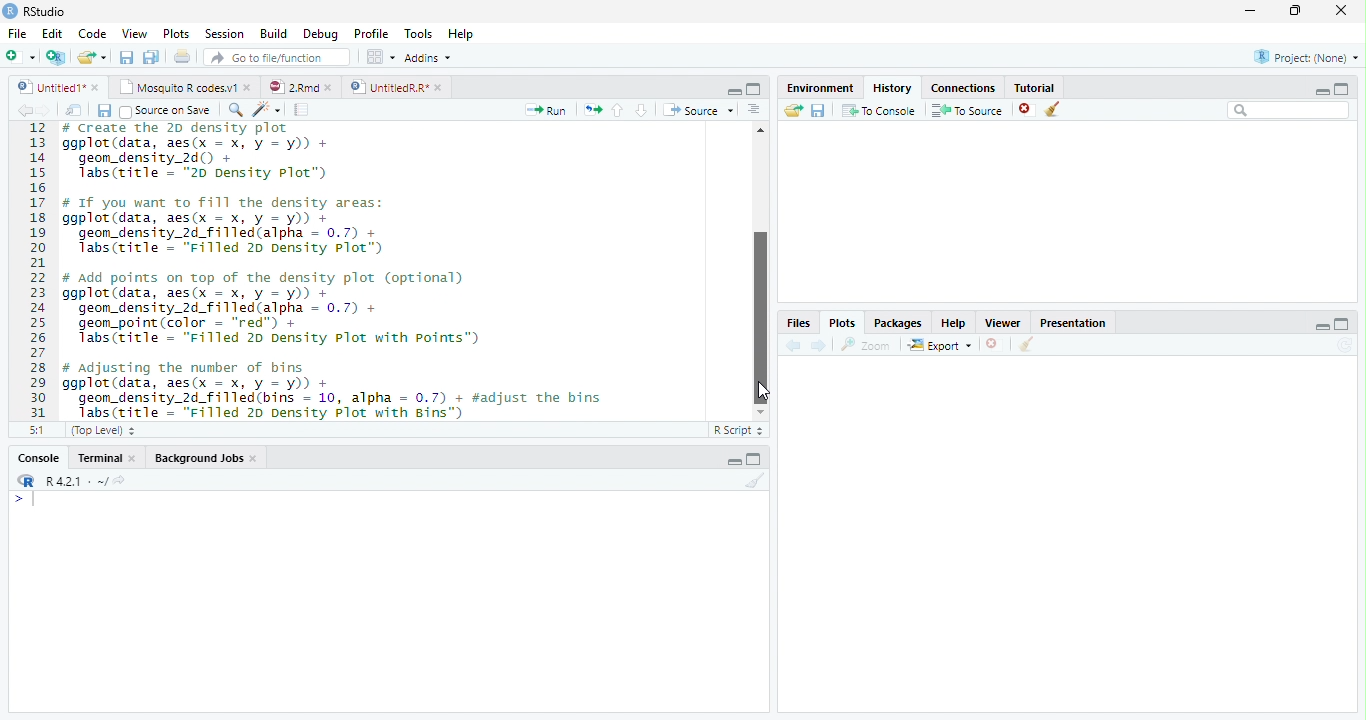 This screenshot has width=1366, height=720. What do you see at coordinates (440, 87) in the screenshot?
I see `close` at bounding box center [440, 87].